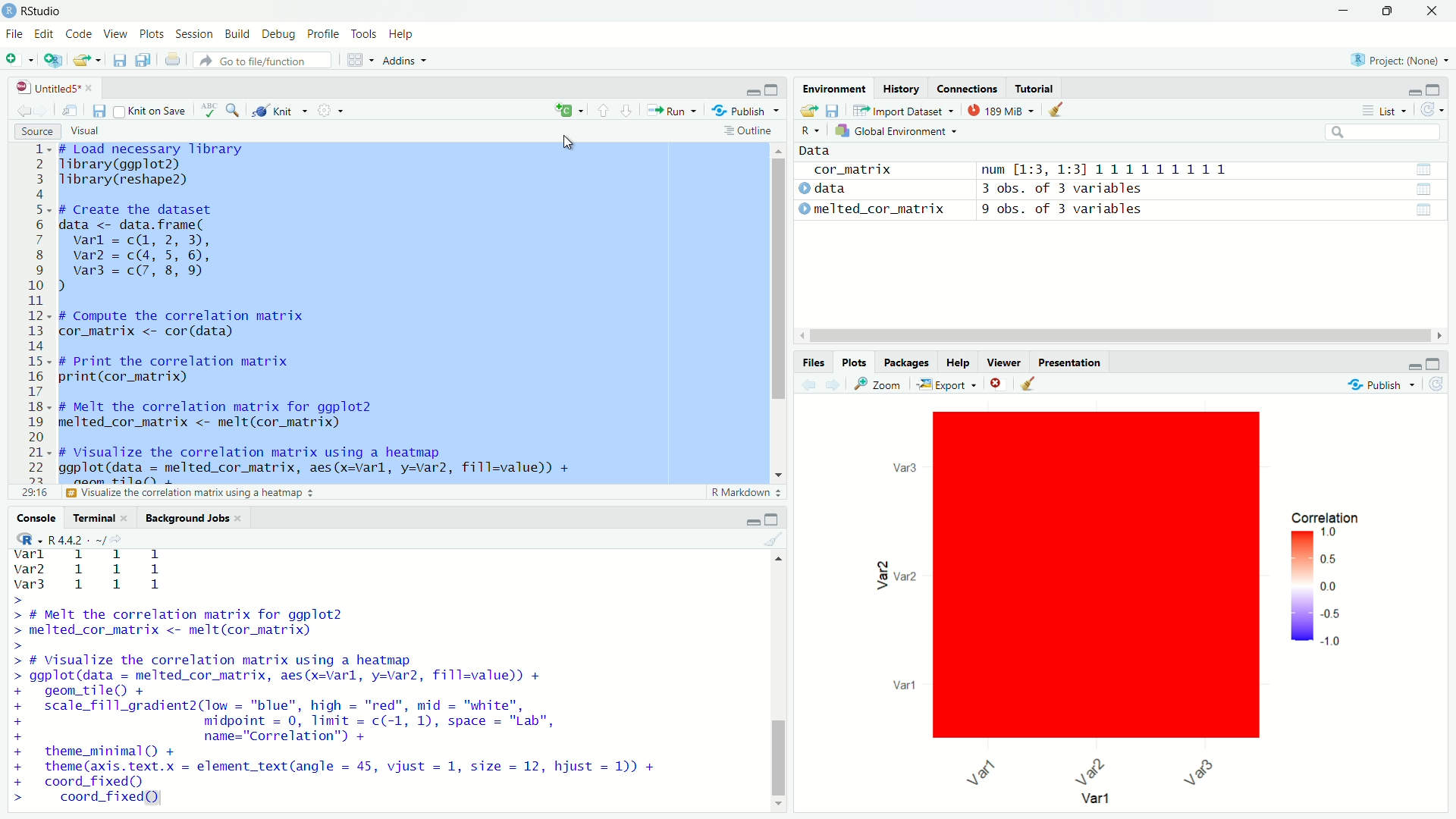 The image size is (1456, 819). I want to click on r language R4.4.2, so click(86, 539).